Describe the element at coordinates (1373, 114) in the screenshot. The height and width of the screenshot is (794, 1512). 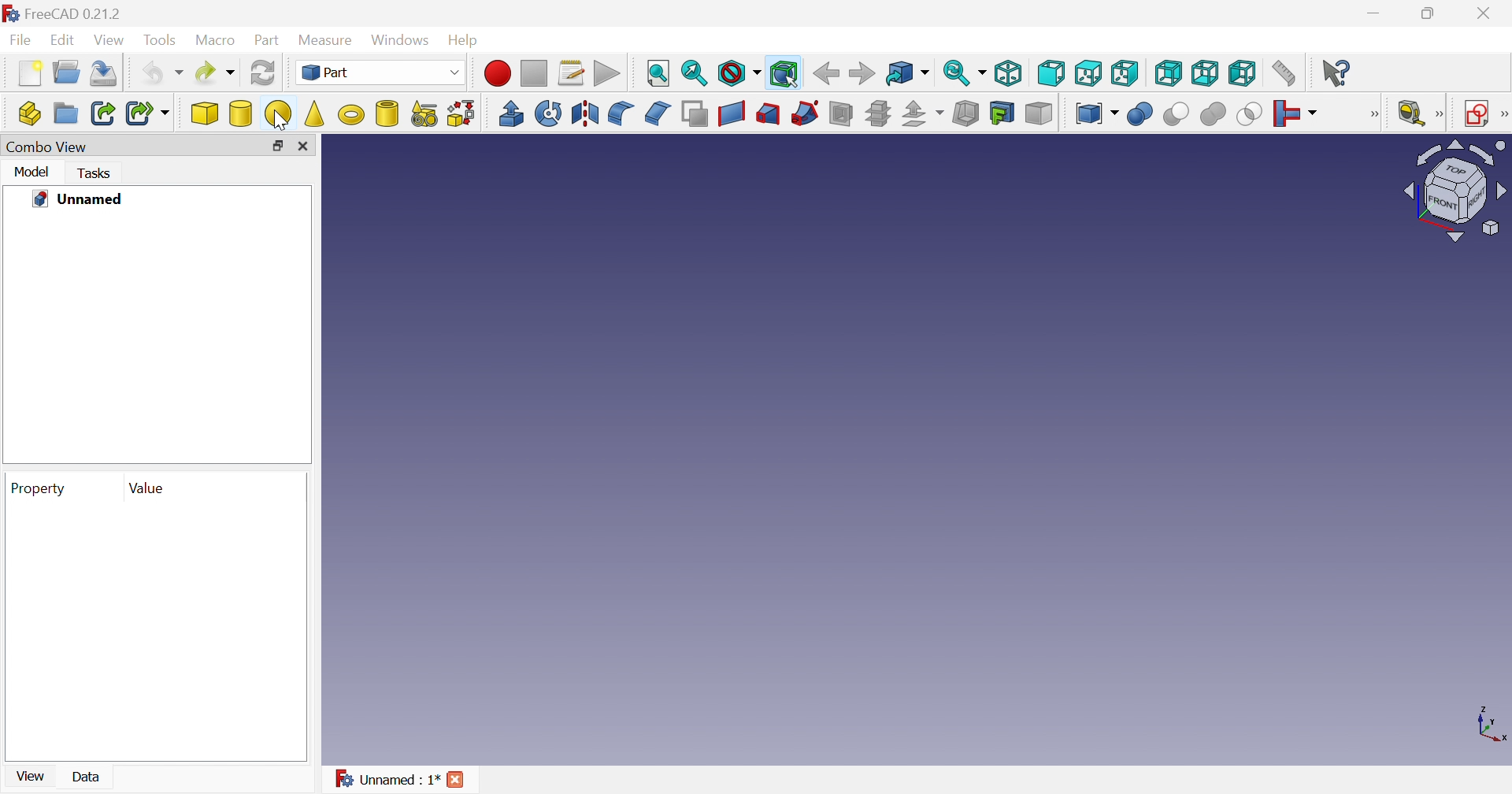
I see `[Boolean]` at that location.